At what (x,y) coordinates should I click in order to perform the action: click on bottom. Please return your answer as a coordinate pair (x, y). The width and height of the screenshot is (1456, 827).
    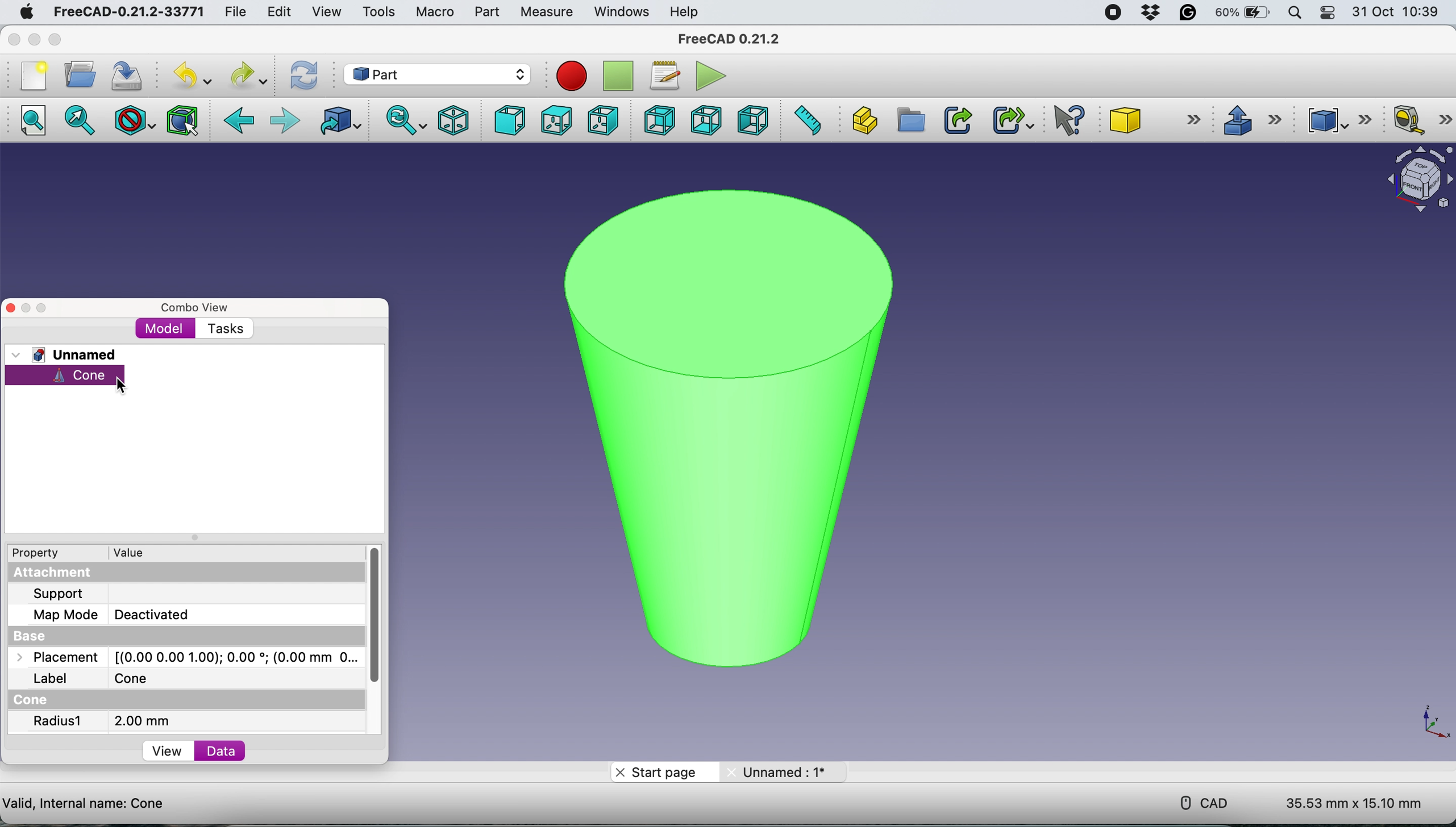
    Looking at the image, I should click on (703, 119).